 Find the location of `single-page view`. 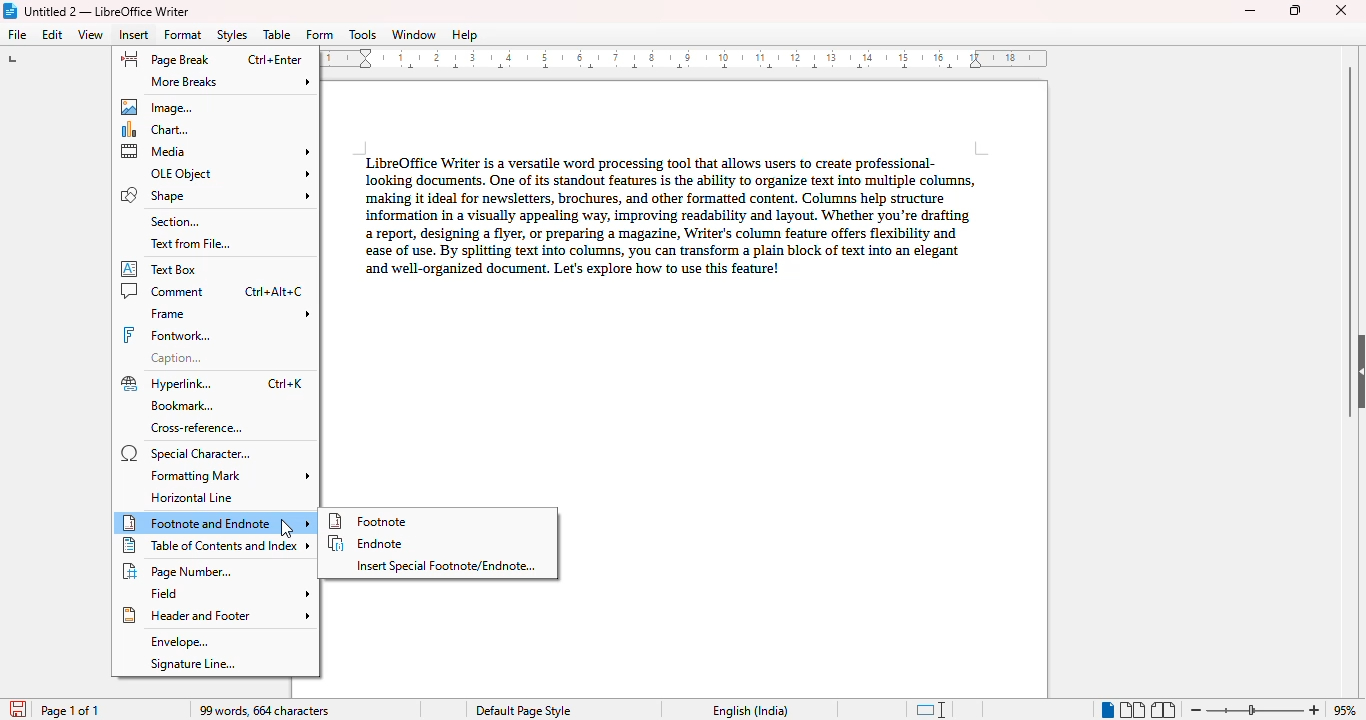

single-page view is located at coordinates (1106, 710).